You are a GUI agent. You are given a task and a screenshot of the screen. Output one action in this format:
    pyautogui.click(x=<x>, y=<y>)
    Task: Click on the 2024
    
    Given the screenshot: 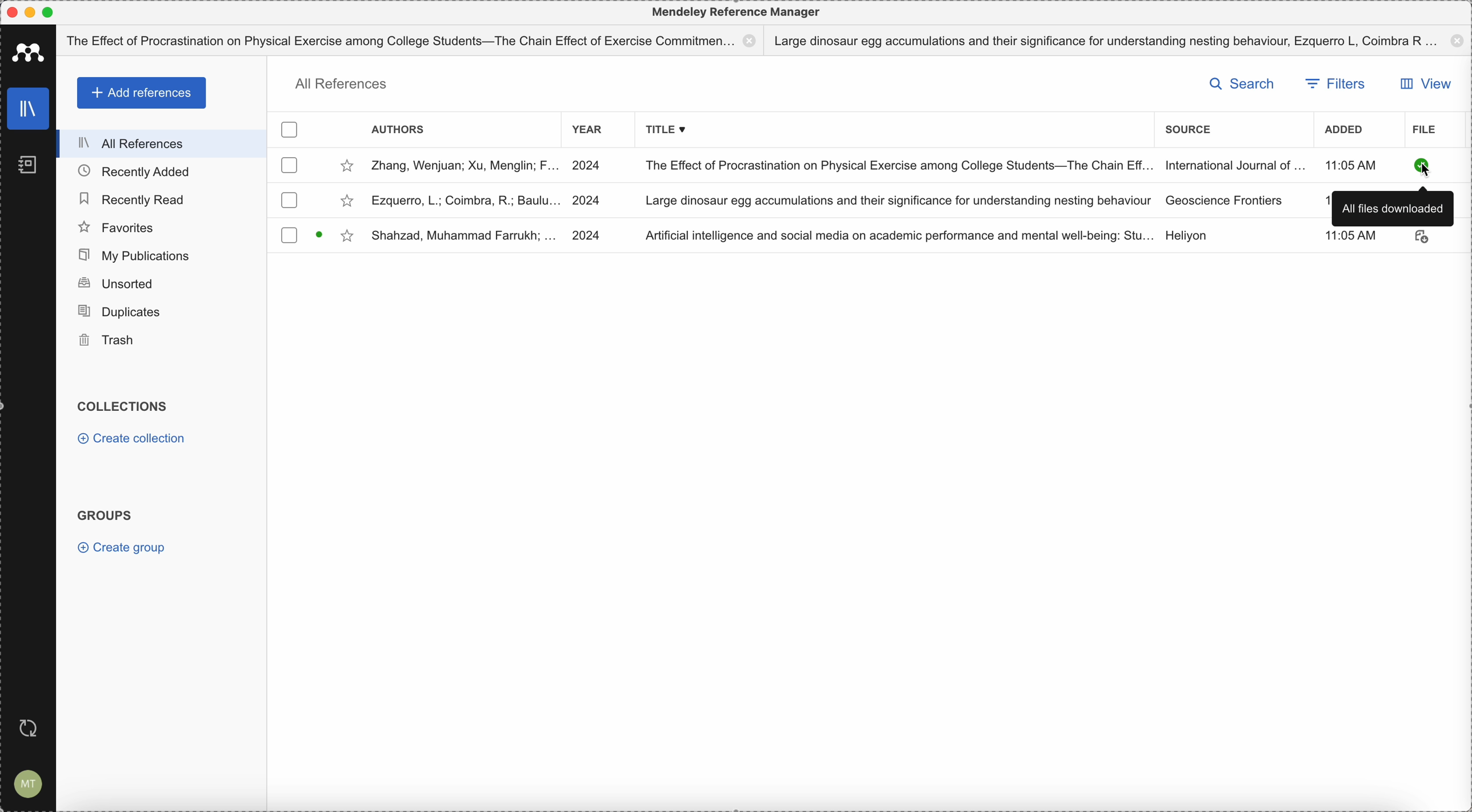 What is the action you would take?
    pyautogui.click(x=586, y=165)
    